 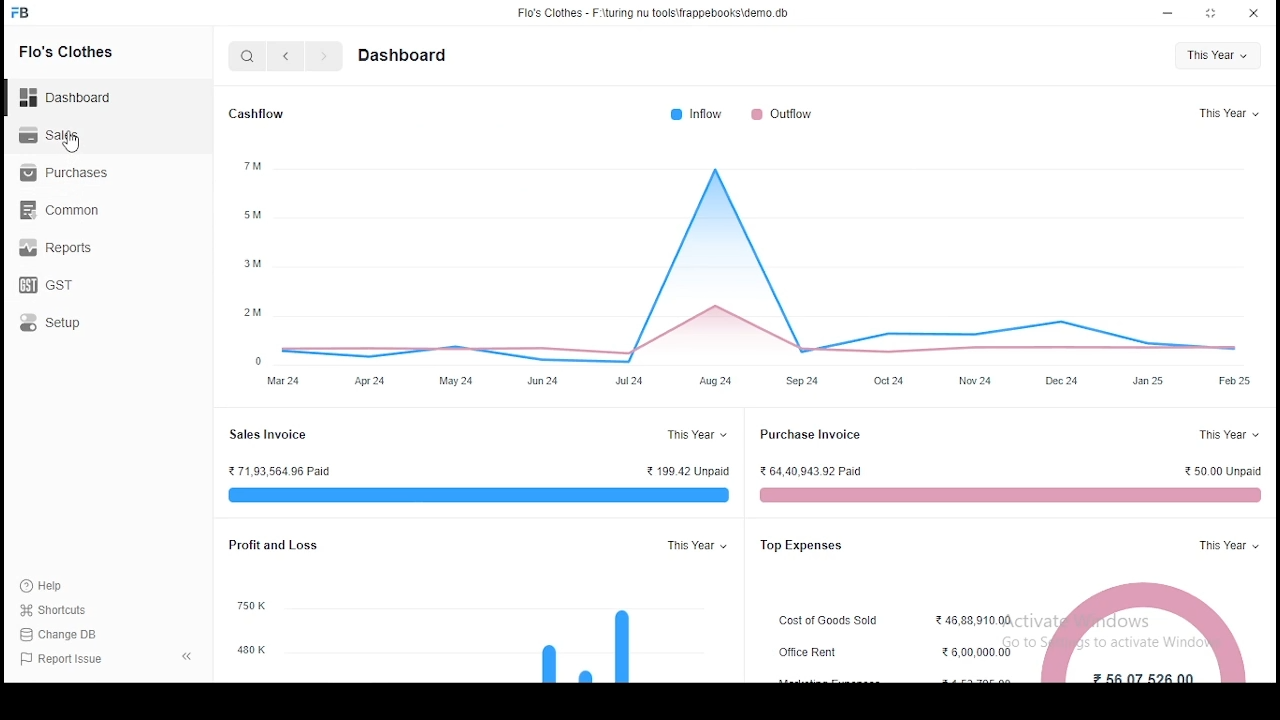 I want to click on this year, so click(x=697, y=546).